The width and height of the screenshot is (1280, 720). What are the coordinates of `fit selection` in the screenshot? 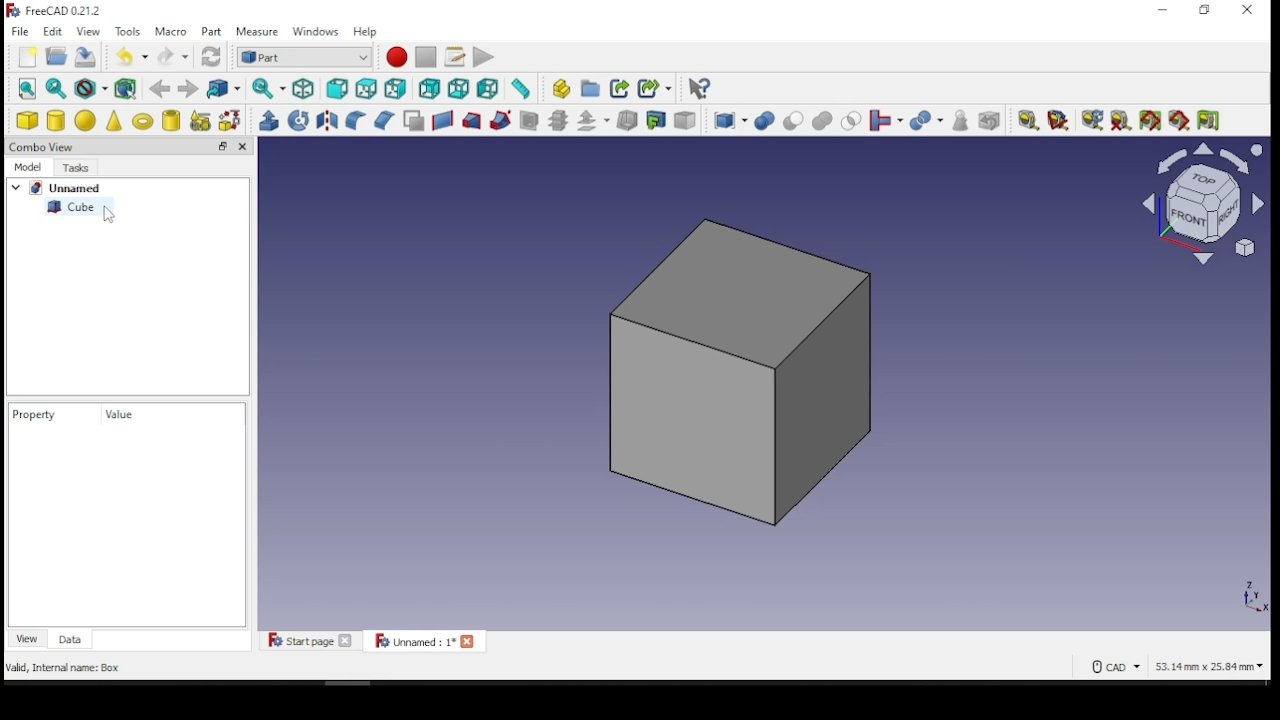 It's located at (56, 88).